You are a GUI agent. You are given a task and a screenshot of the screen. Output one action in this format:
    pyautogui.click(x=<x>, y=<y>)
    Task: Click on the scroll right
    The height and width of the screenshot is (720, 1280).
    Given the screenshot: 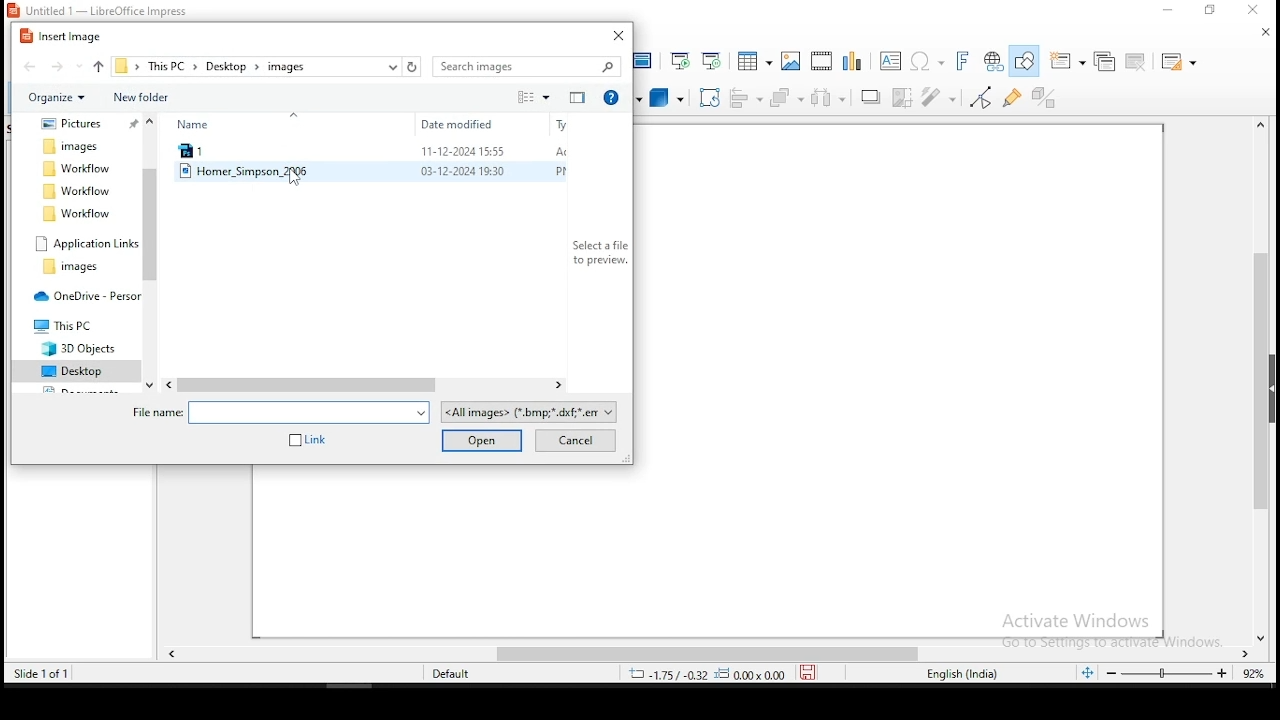 What is the action you would take?
    pyautogui.click(x=550, y=384)
    